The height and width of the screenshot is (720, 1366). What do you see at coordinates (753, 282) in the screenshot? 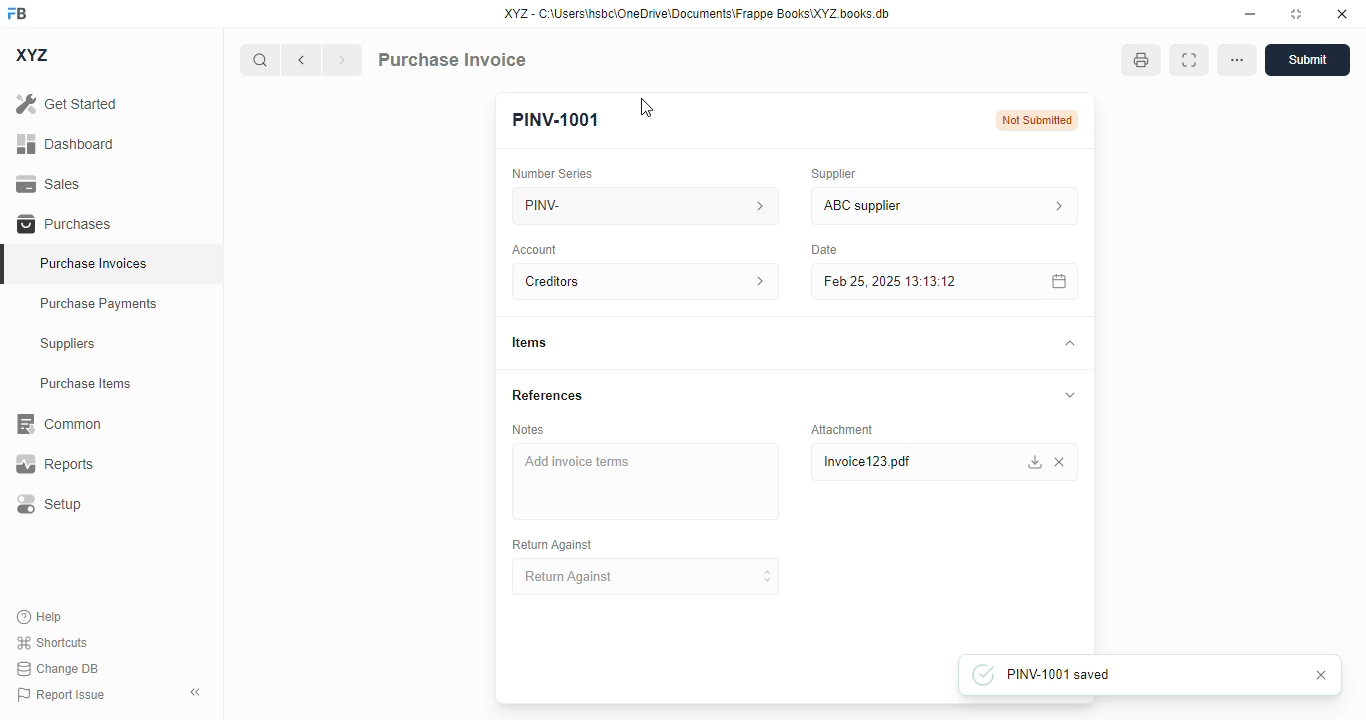
I see `account information` at bounding box center [753, 282].